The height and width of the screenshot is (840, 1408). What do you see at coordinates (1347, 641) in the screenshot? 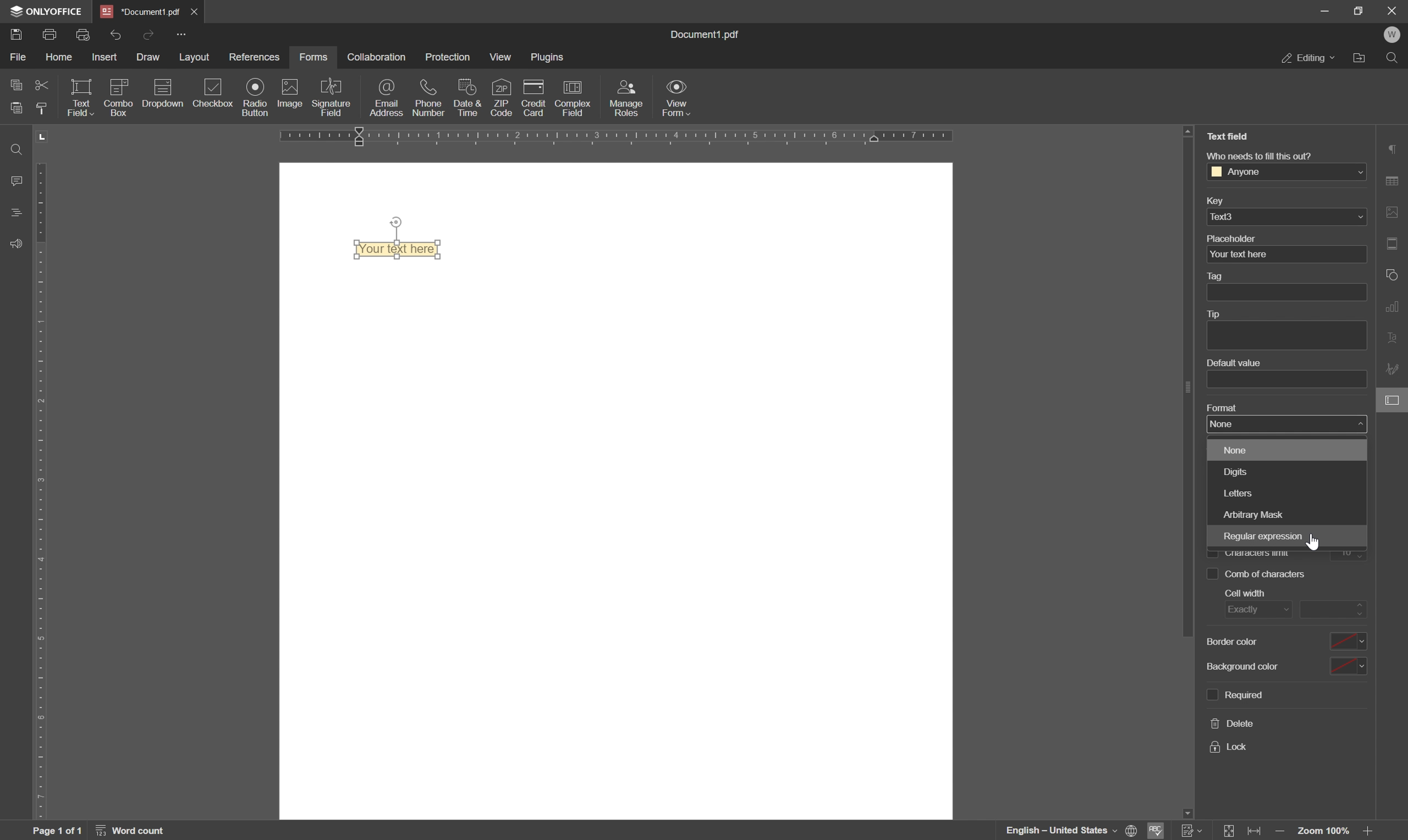
I see `select border color` at bounding box center [1347, 641].